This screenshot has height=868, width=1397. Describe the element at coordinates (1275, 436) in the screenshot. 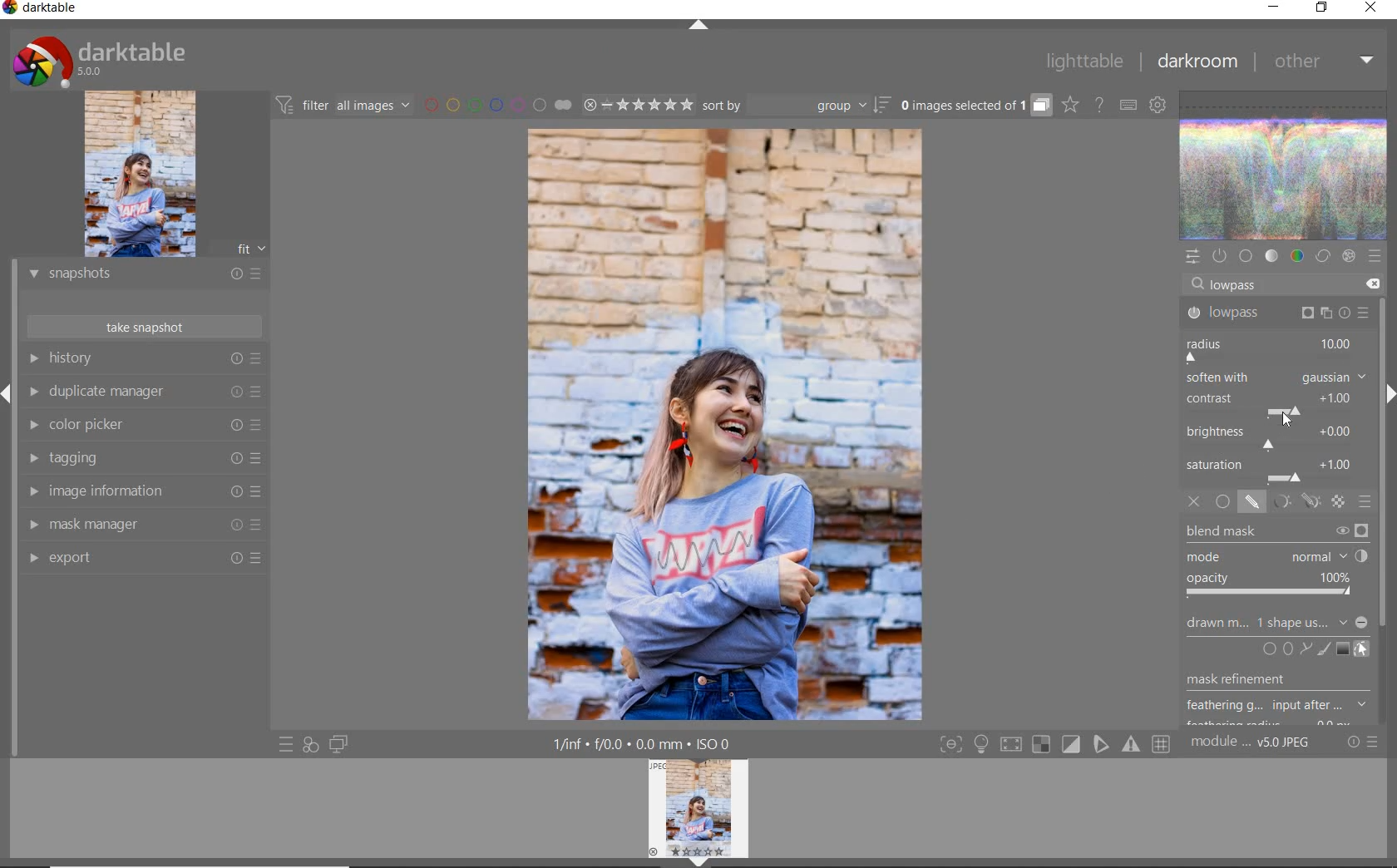

I see `brightness` at that location.